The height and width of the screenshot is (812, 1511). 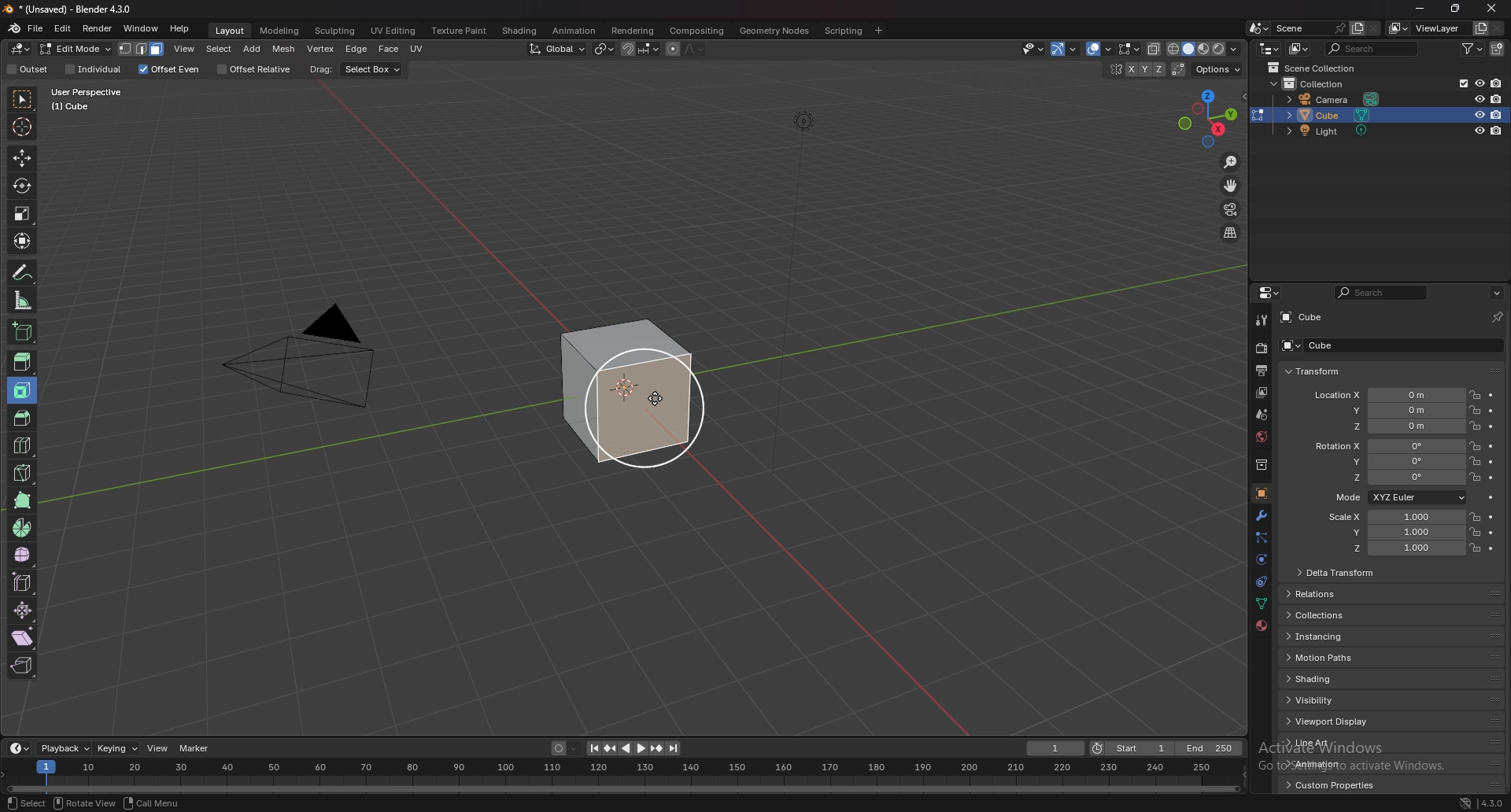 What do you see at coordinates (22, 49) in the screenshot?
I see `editor type` at bounding box center [22, 49].